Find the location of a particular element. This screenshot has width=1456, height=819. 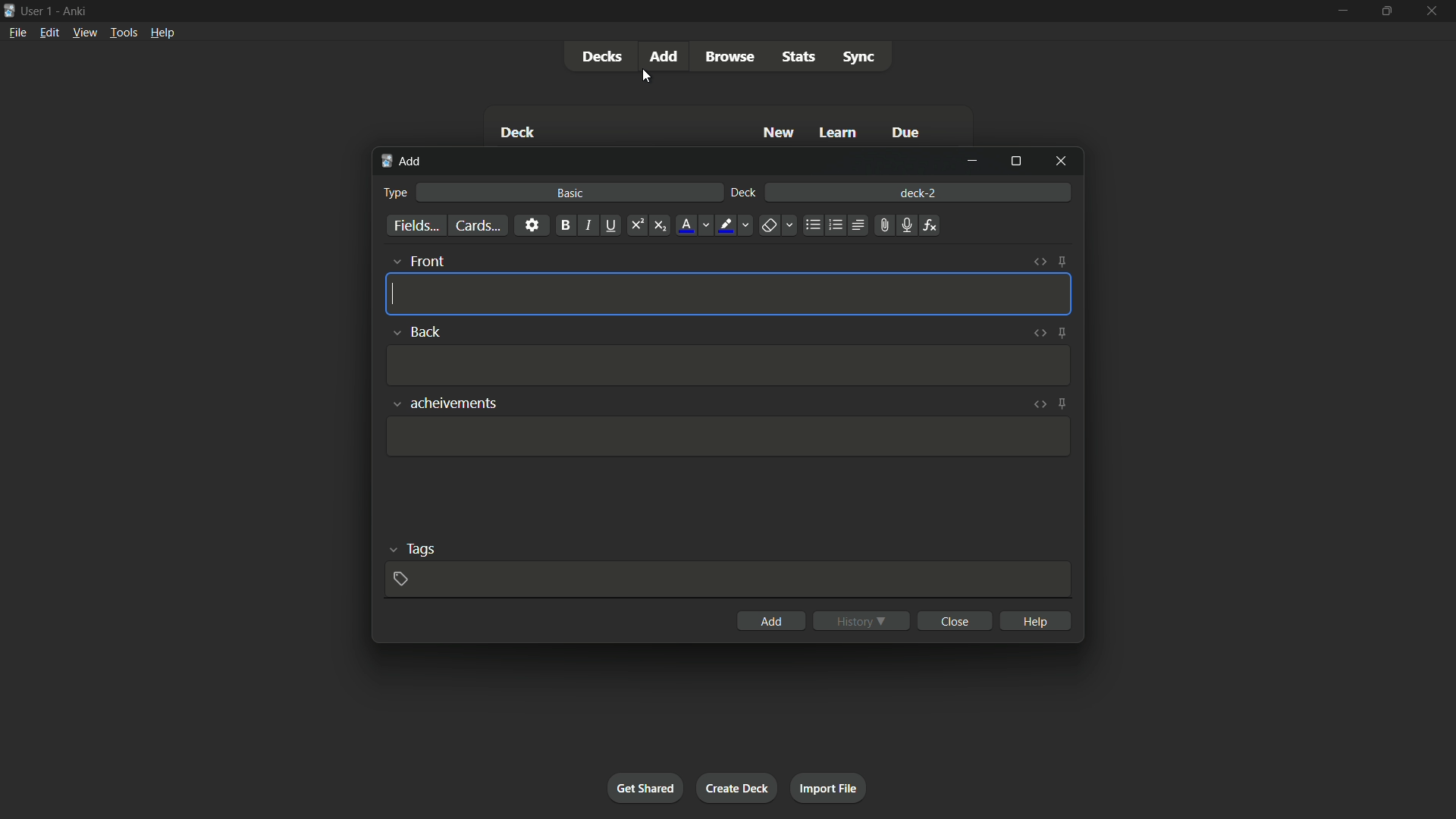

tools menu is located at coordinates (124, 33).